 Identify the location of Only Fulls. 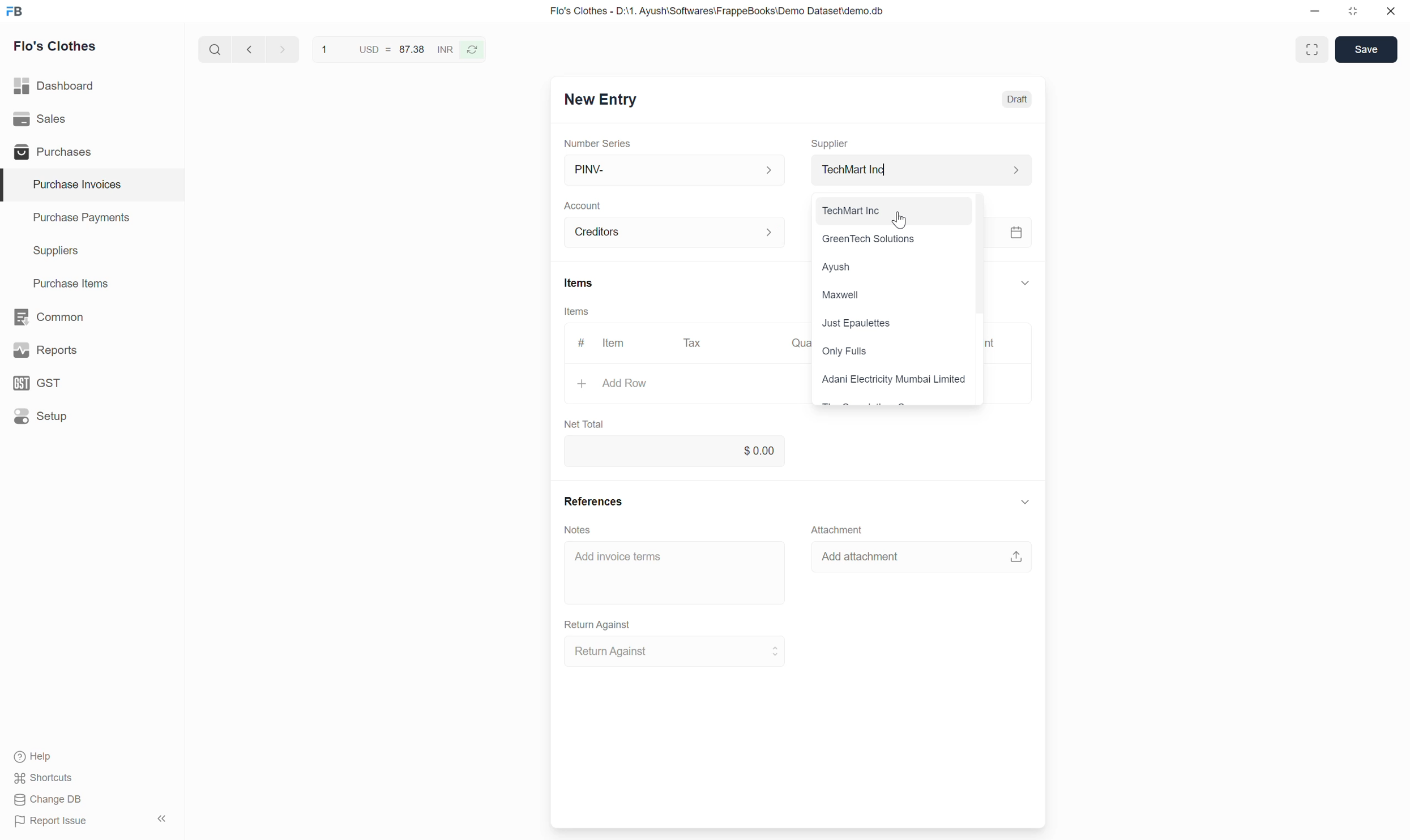
(856, 352).